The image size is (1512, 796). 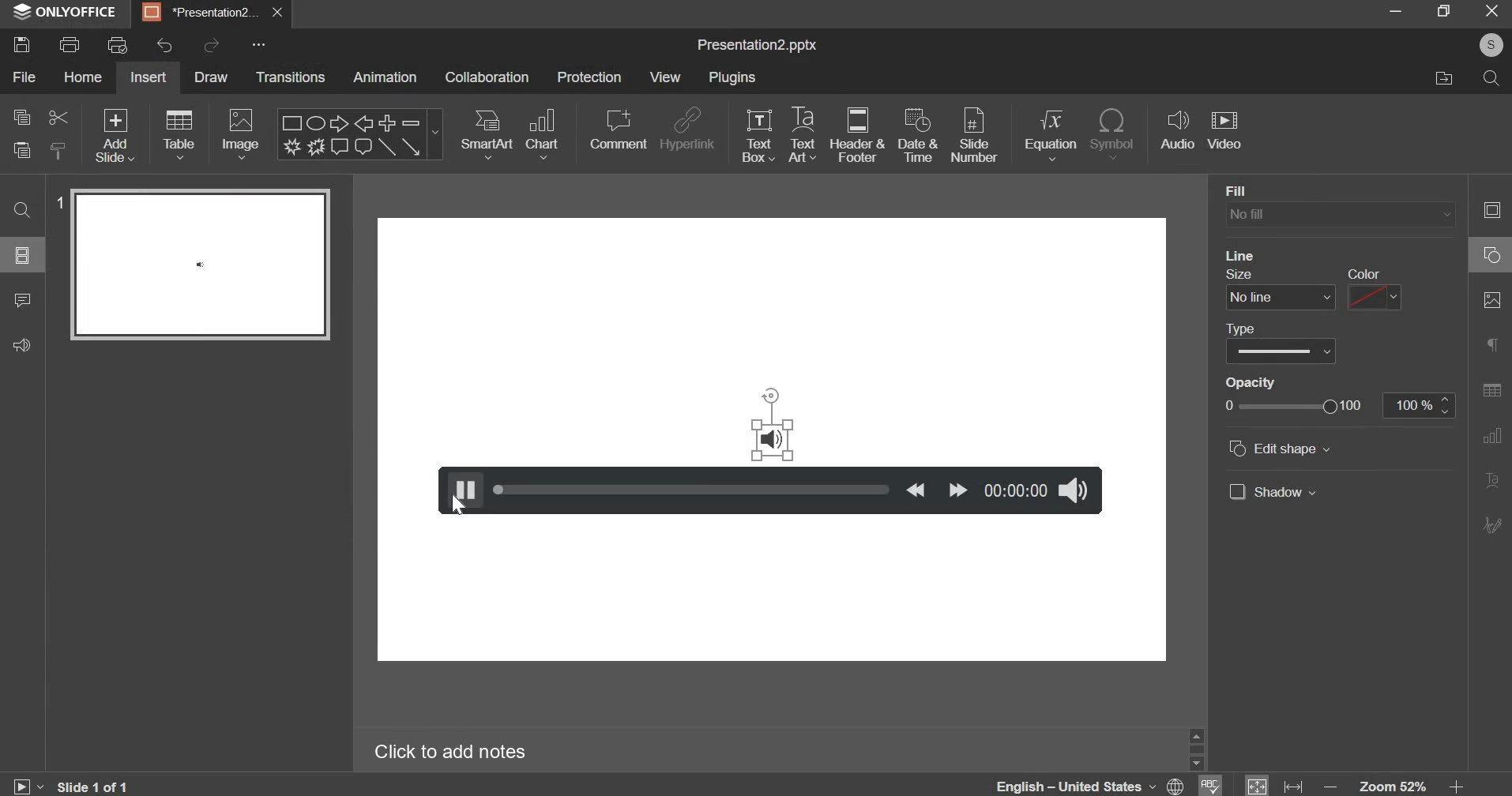 What do you see at coordinates (385, 78) in the screenshot?
I see `animation` at bounding box center [385, 78].